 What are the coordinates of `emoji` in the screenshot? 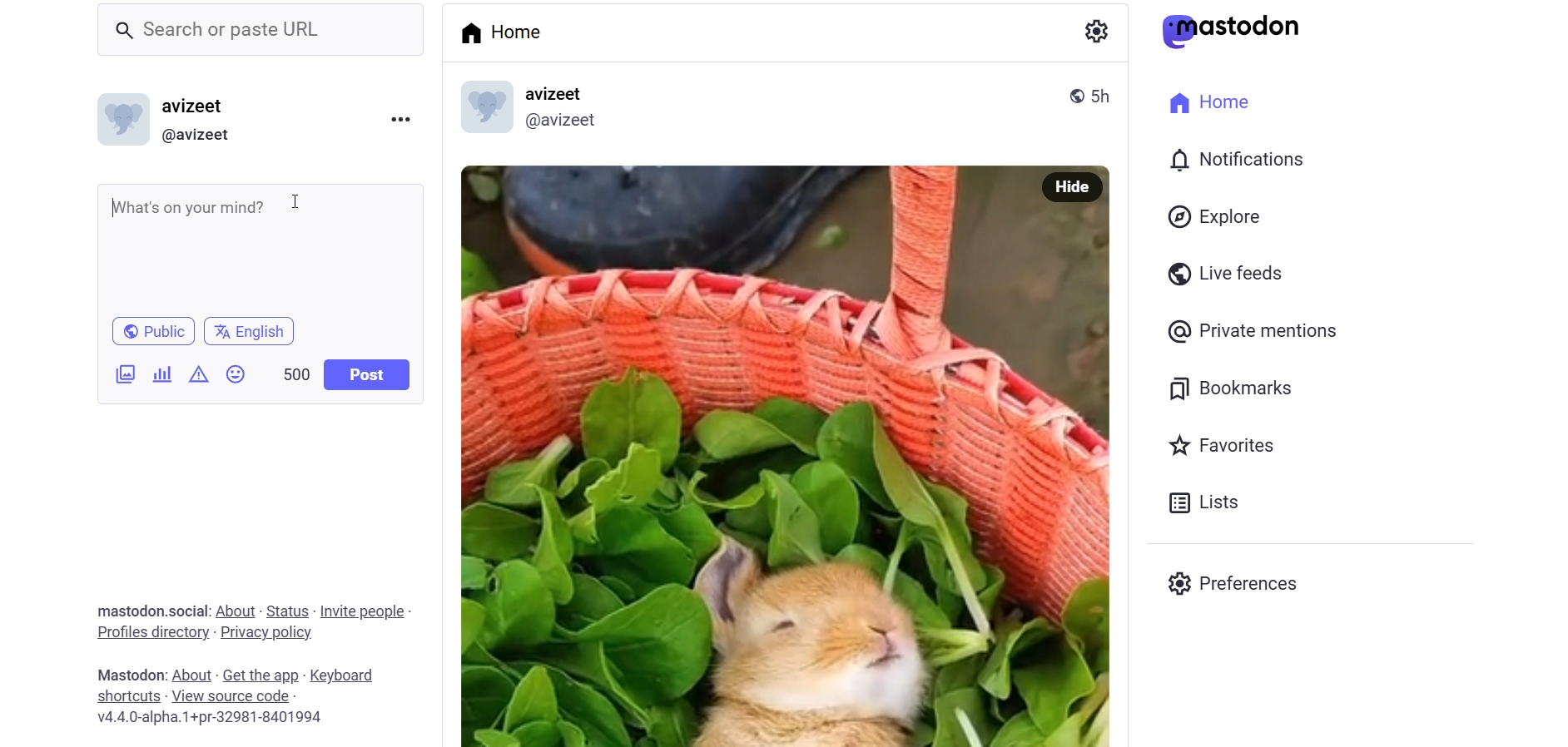 It's located at (236, 376).